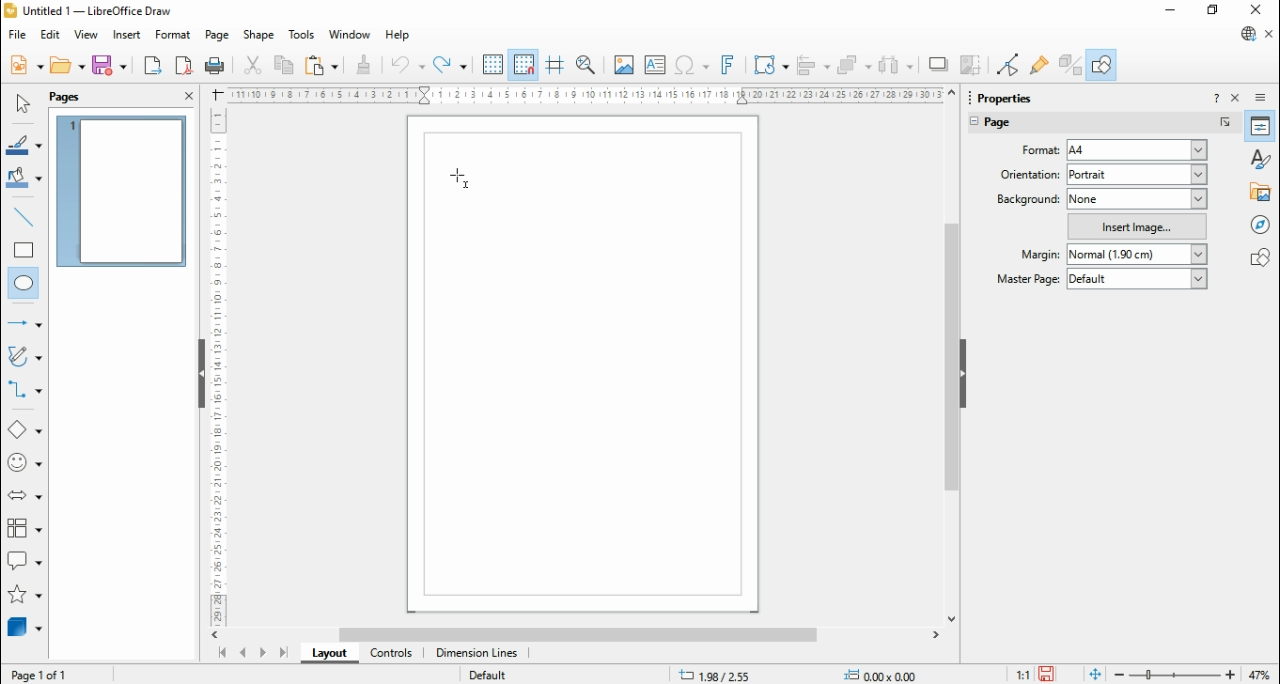 The width and height of the screenshot is (1280, 684). What do you see at coordinates (1024, 674) in the screenshot?
I see `11` at bounding box center [1024, 674].